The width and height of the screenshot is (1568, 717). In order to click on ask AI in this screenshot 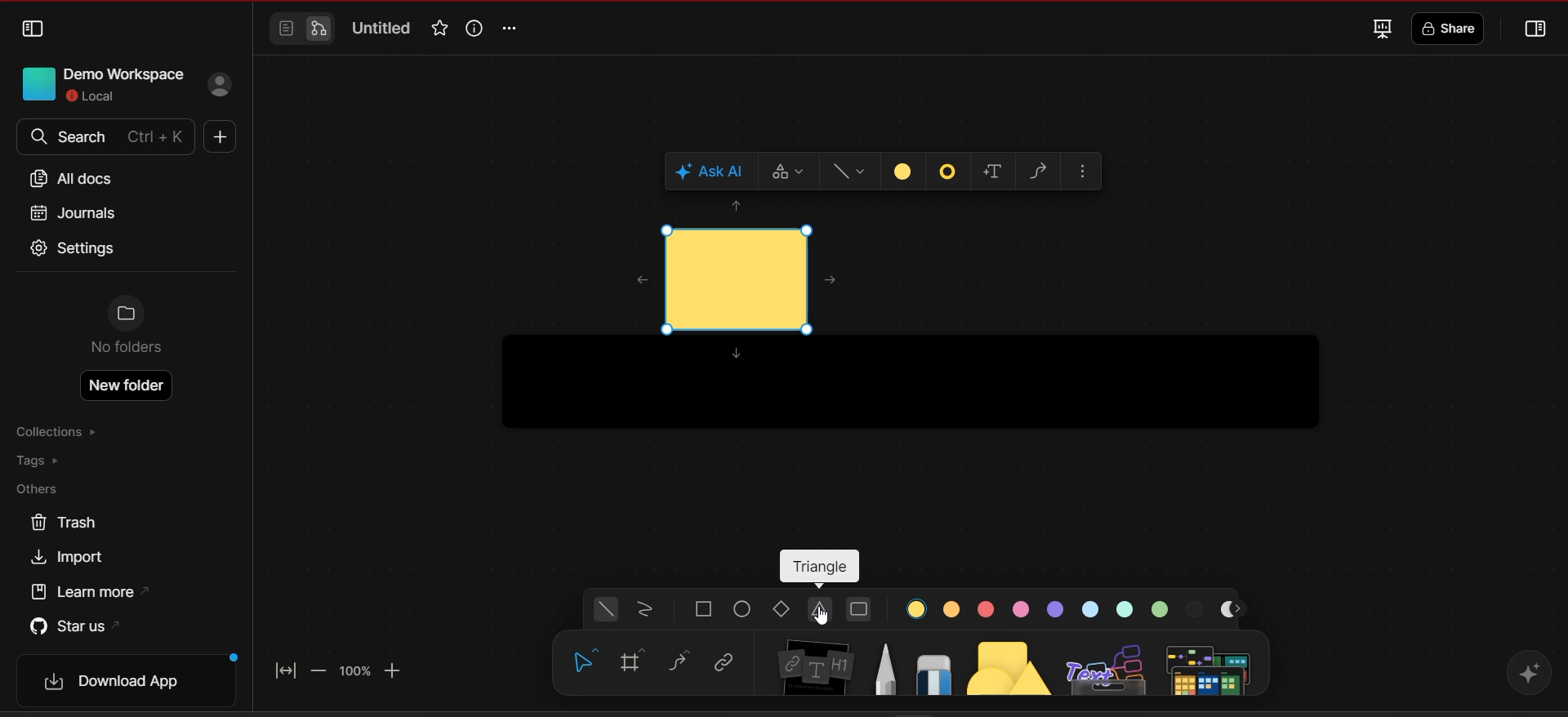, I will do `click(710, 172)`.